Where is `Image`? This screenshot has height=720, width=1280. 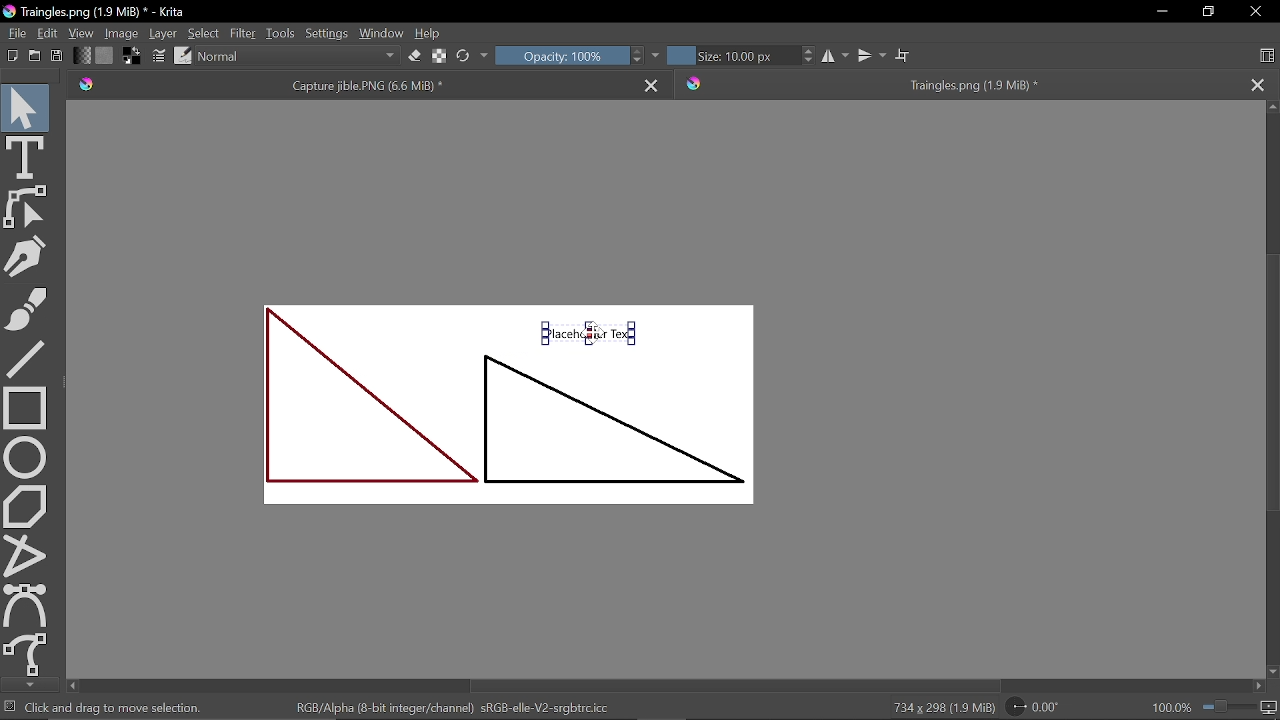 Image is located at coordinates (123, 33).